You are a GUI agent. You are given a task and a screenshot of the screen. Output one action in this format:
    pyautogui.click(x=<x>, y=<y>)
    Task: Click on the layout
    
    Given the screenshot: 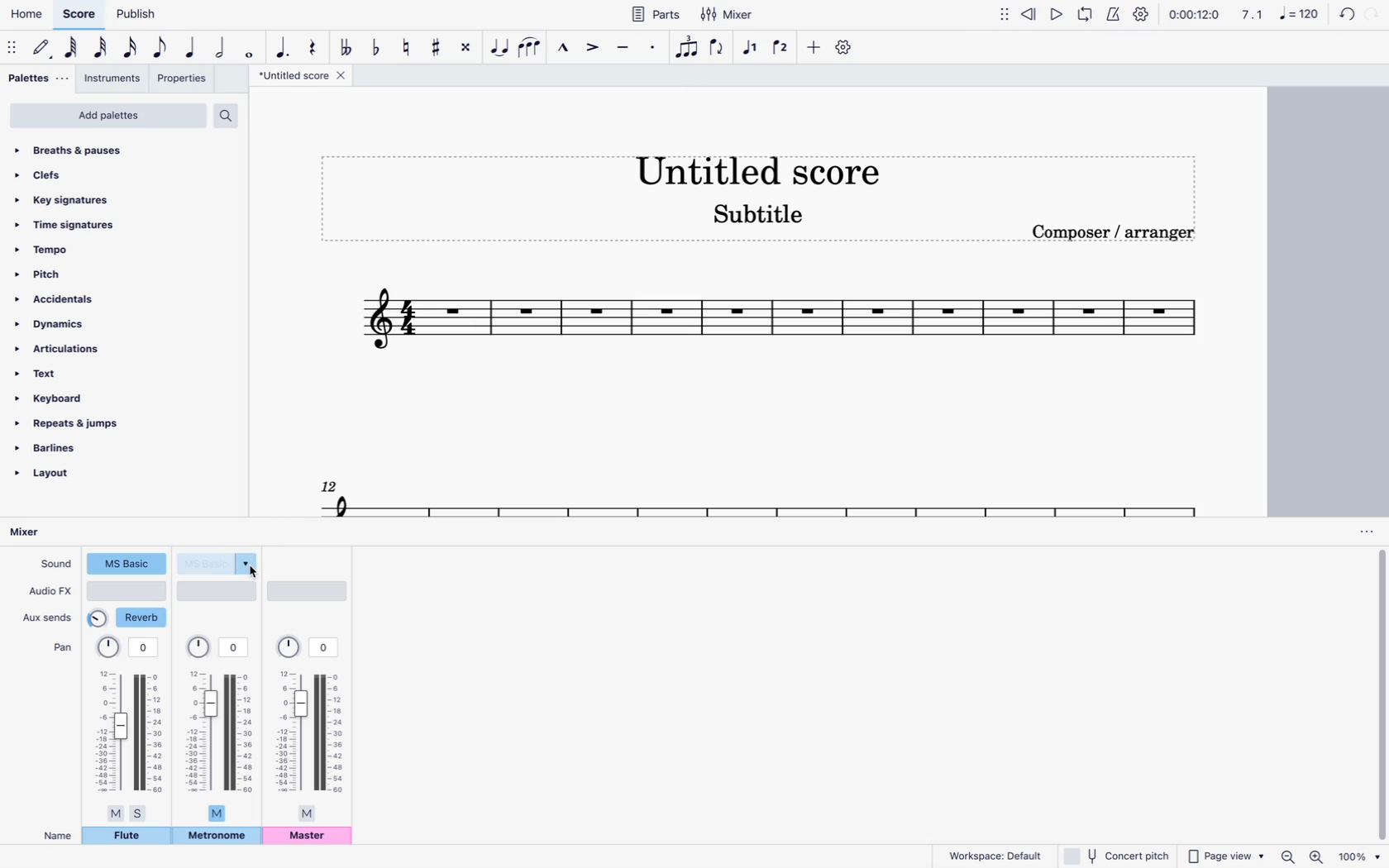 What is the action you would take?
    pyautogui.click(x=71, y=477)
    